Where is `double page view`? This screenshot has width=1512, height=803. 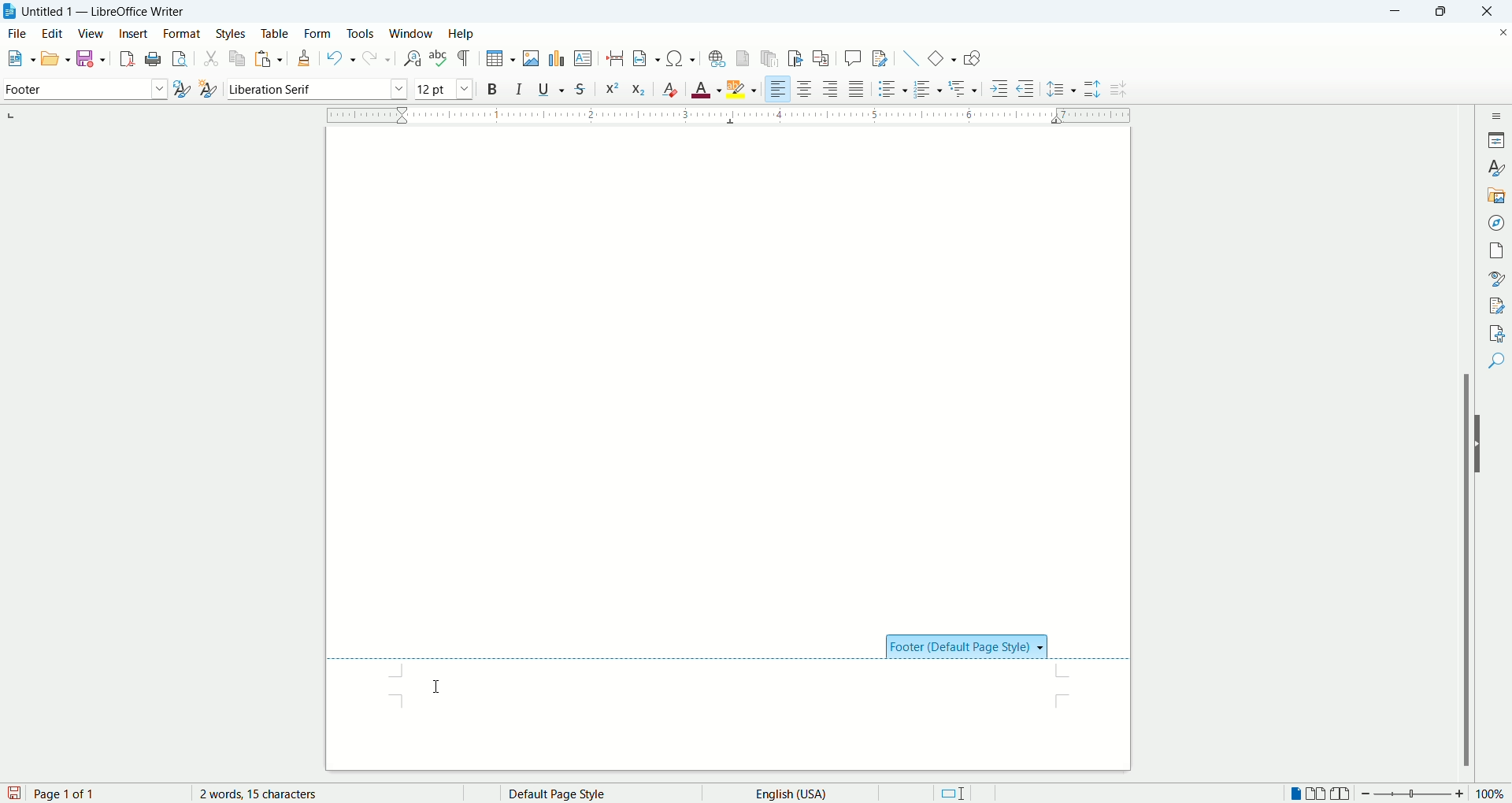
double page view is located at coordinates (1319, 794).